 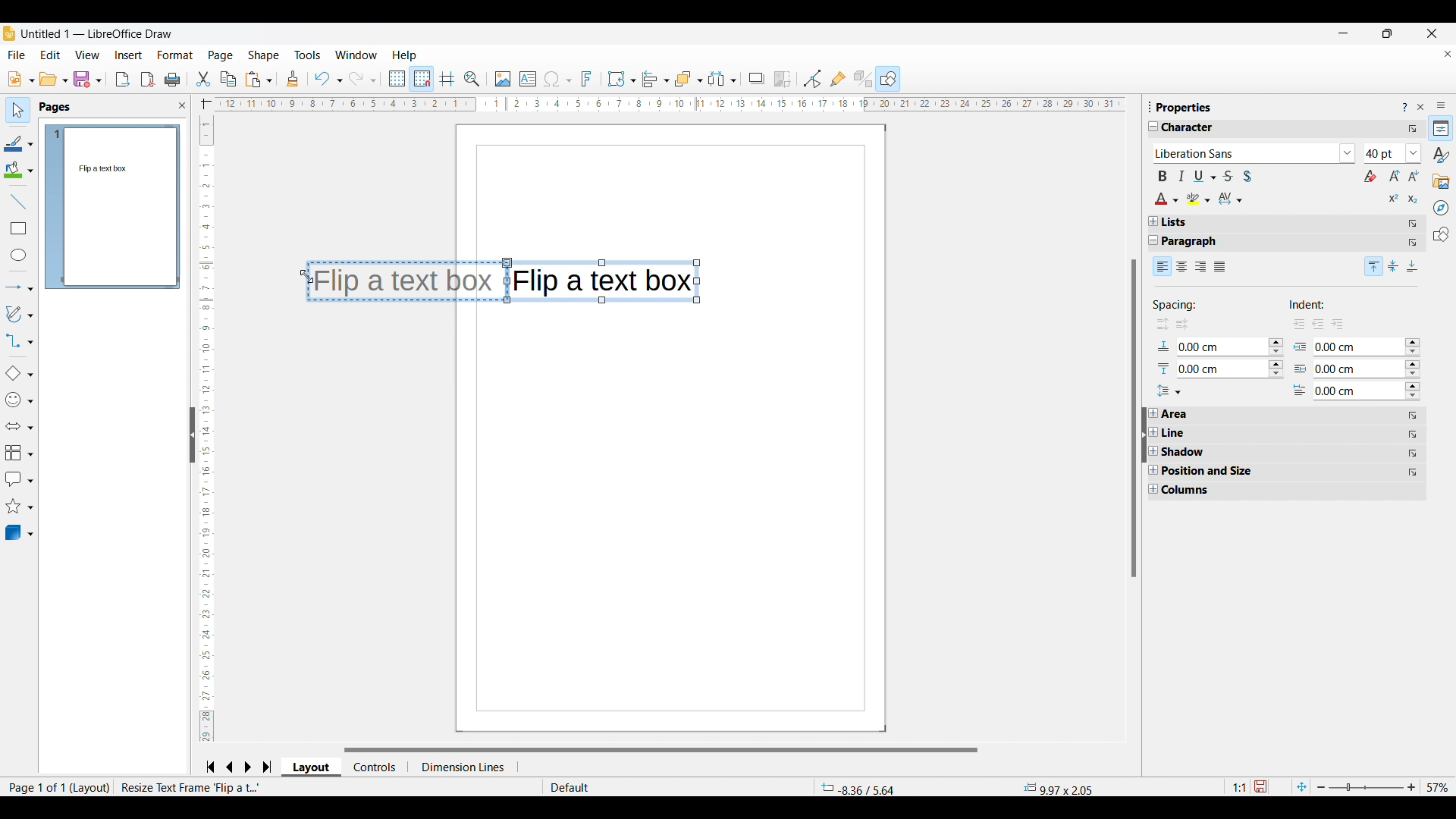 I want to click on Click to save document, so click(x=1260, y=786).